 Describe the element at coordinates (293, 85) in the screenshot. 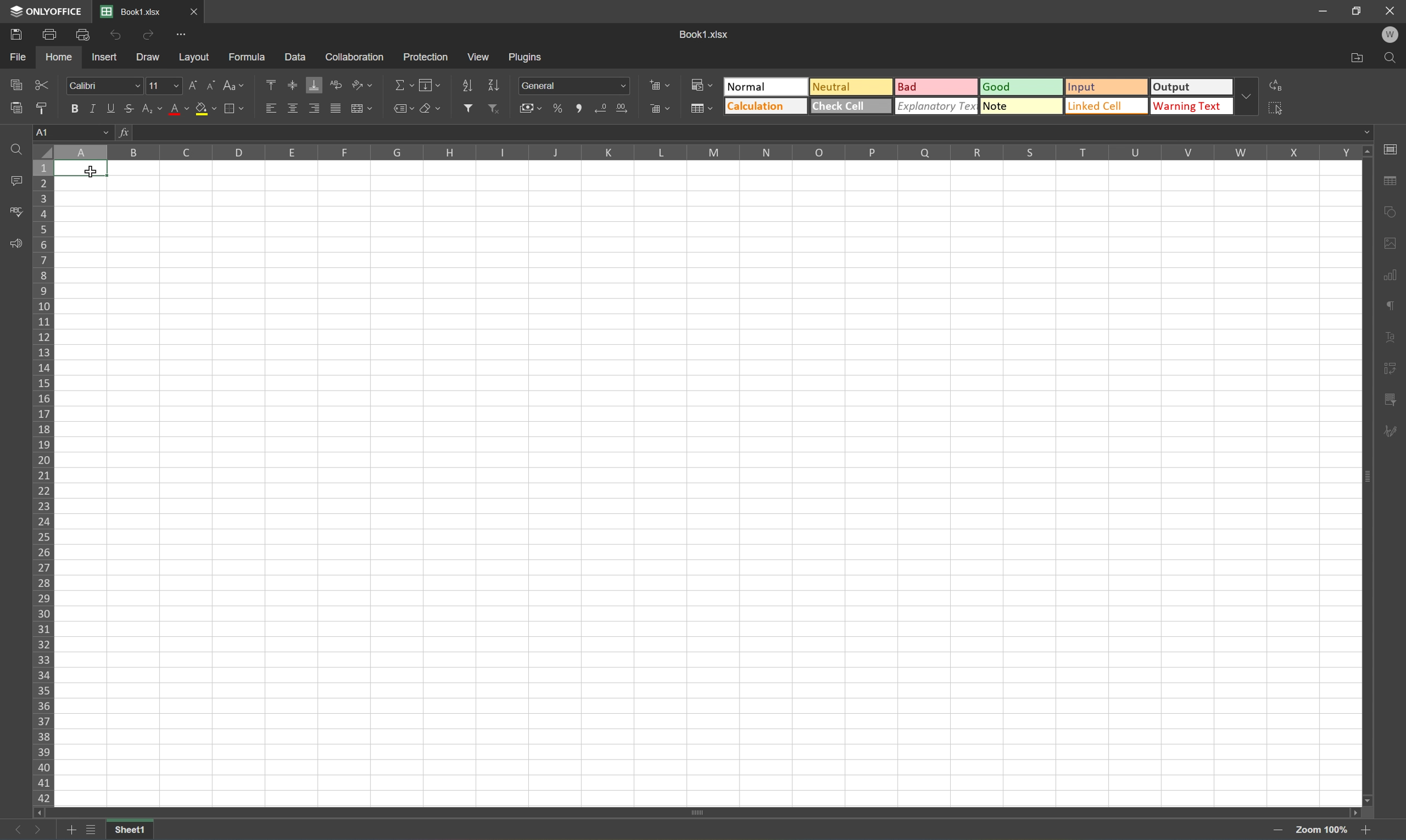

I see `Align middle` at that location.